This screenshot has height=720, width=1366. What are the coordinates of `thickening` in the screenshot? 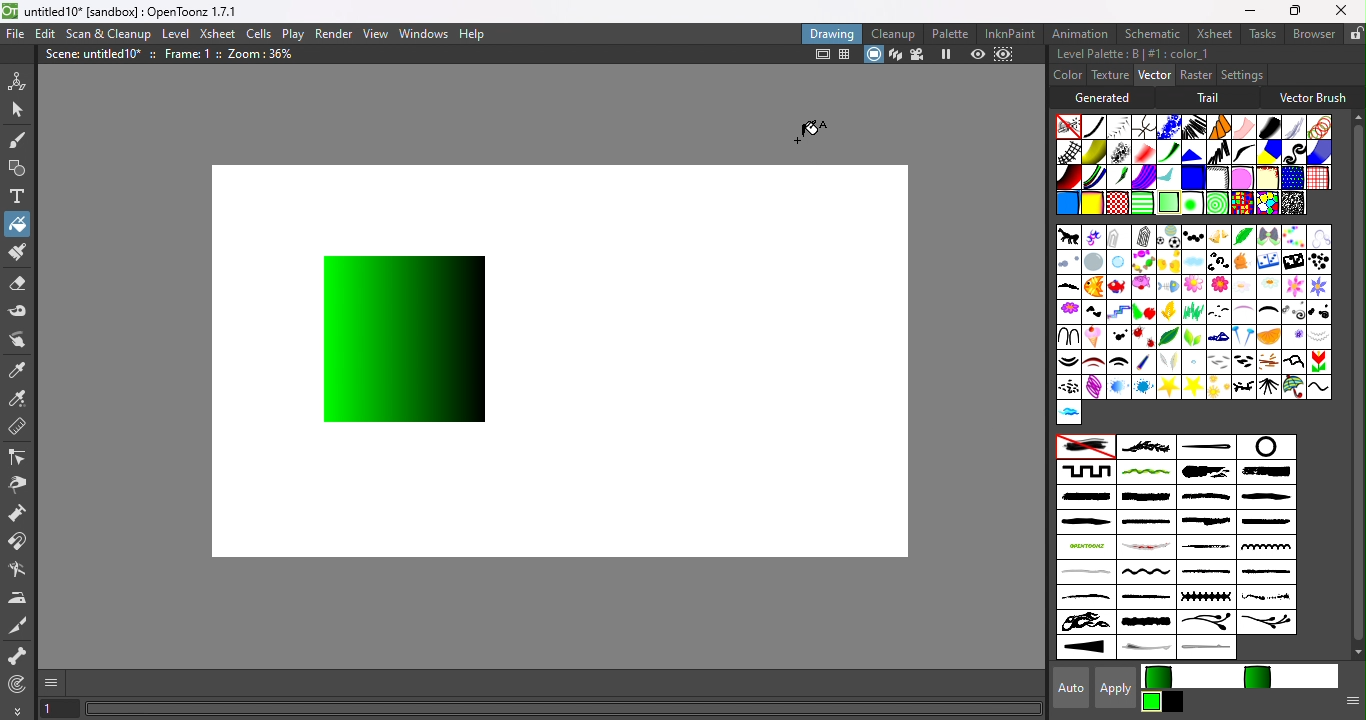 It's located at (1087, 648).